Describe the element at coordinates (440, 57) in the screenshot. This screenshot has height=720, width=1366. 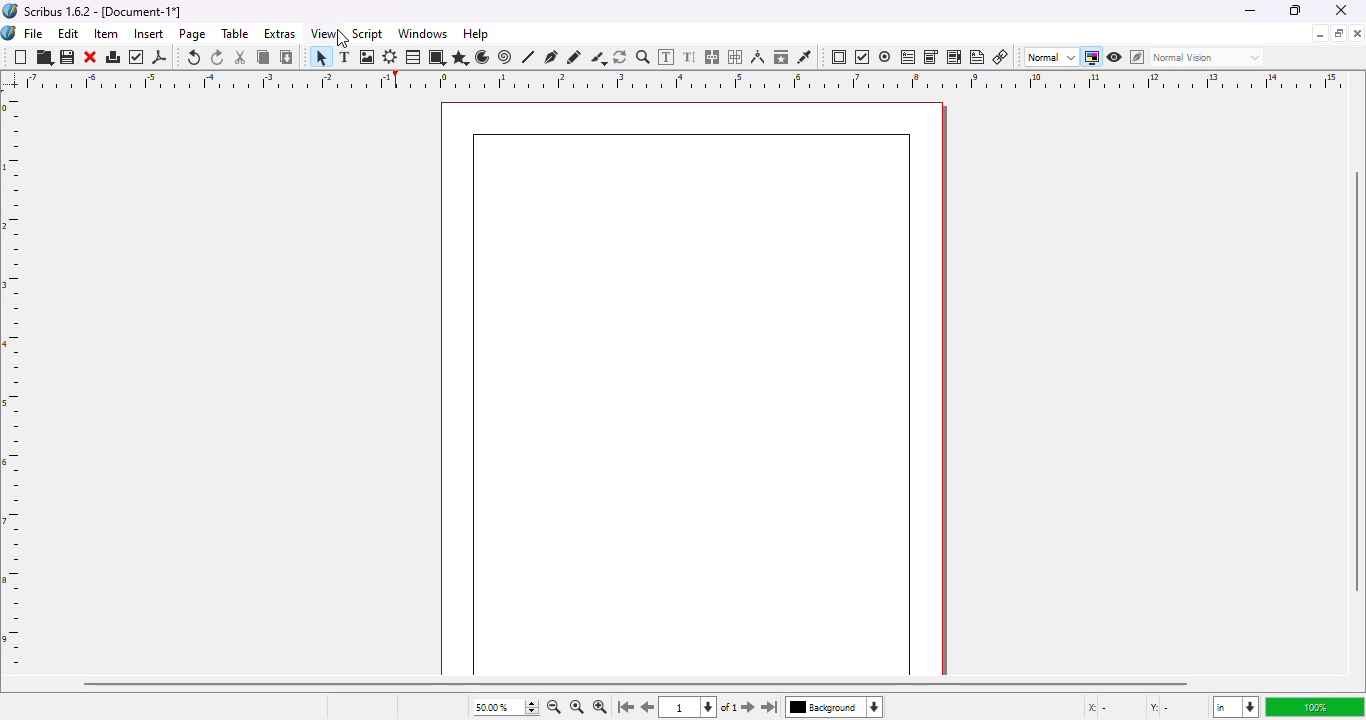
I see `shape` at that location.